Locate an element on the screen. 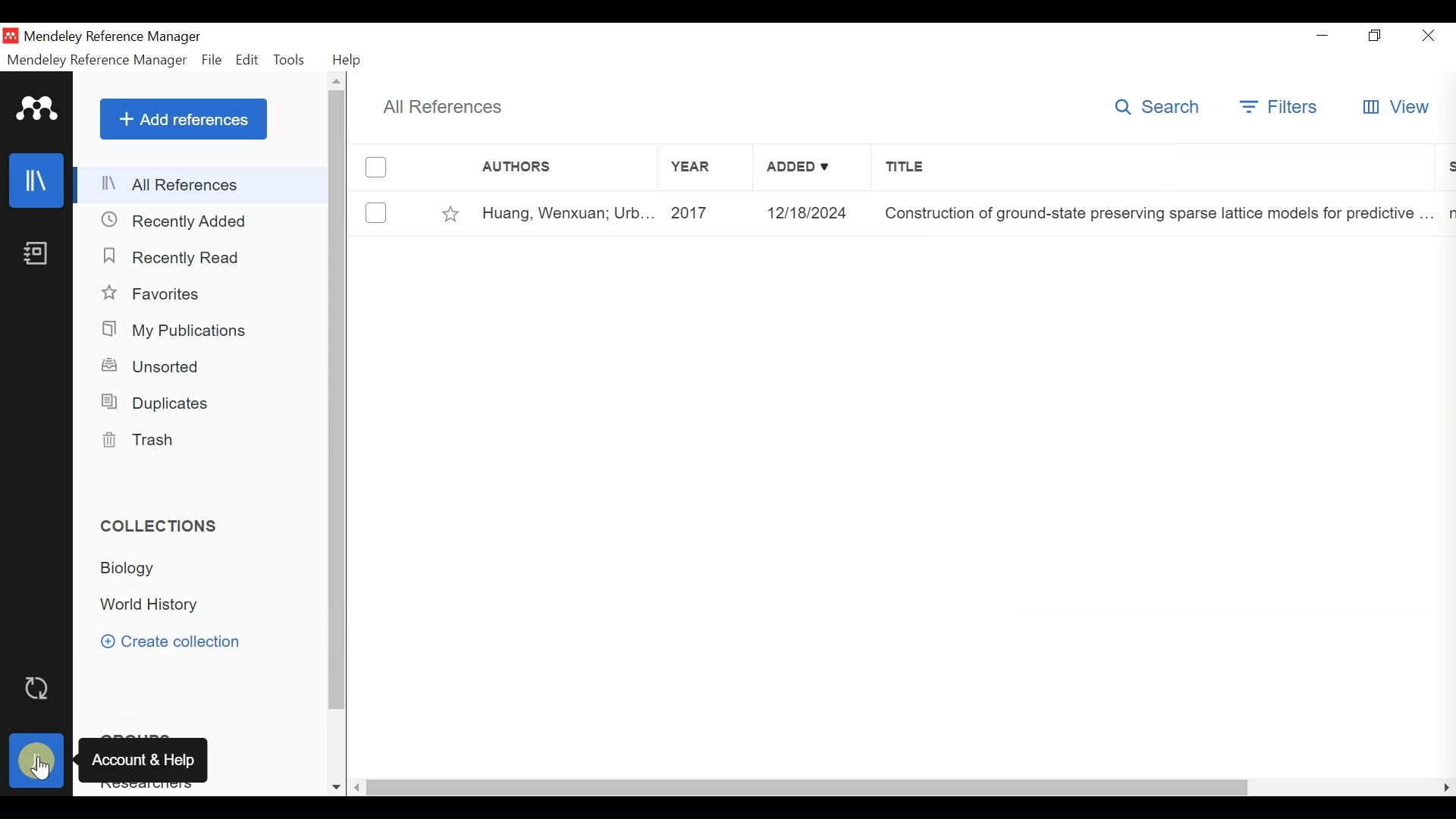 The height and width of the screenshot is (819, 1456). Collections is located at coordinates (158, 527).